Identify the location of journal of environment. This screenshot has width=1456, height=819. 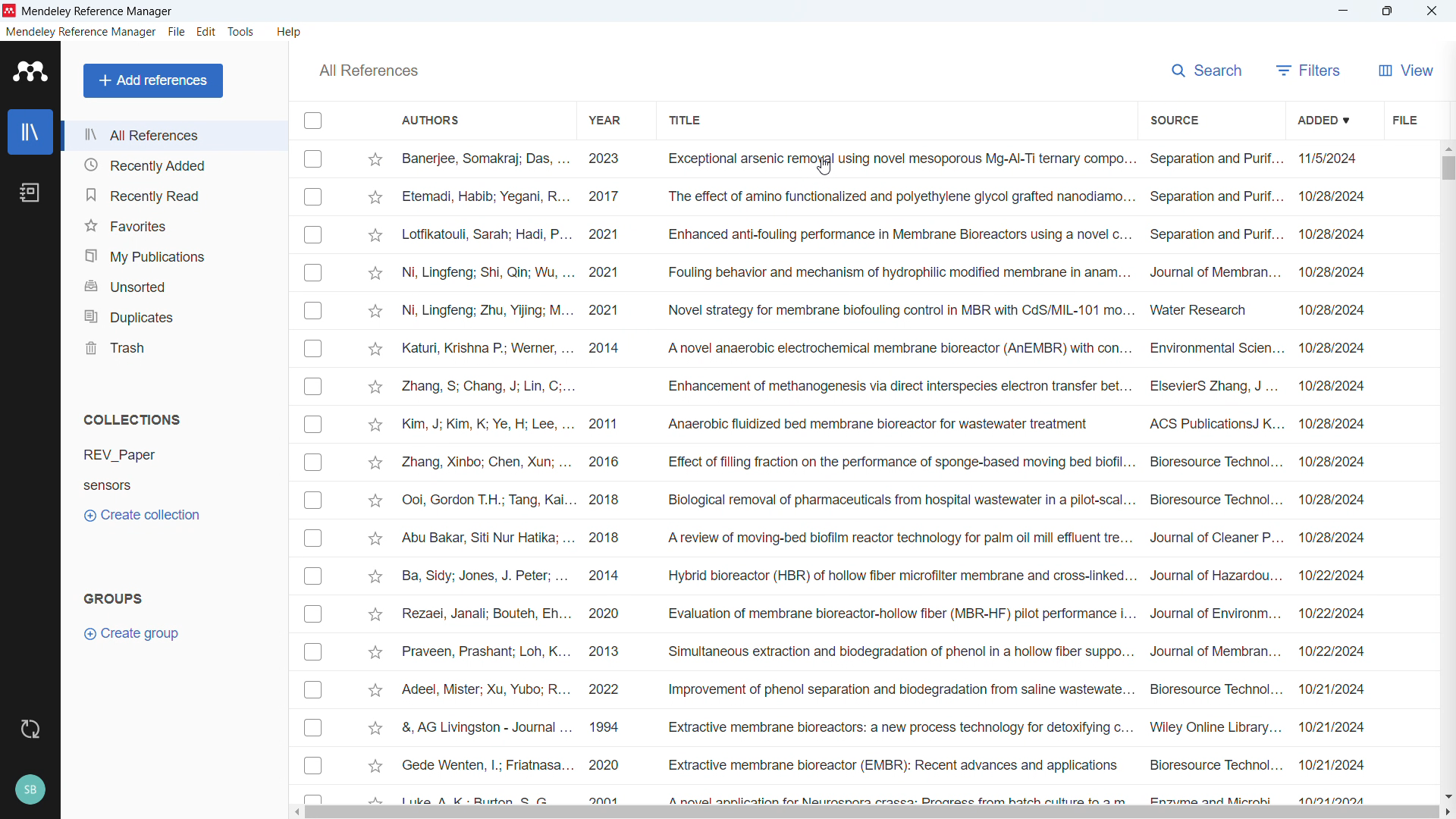
(1216, 611).